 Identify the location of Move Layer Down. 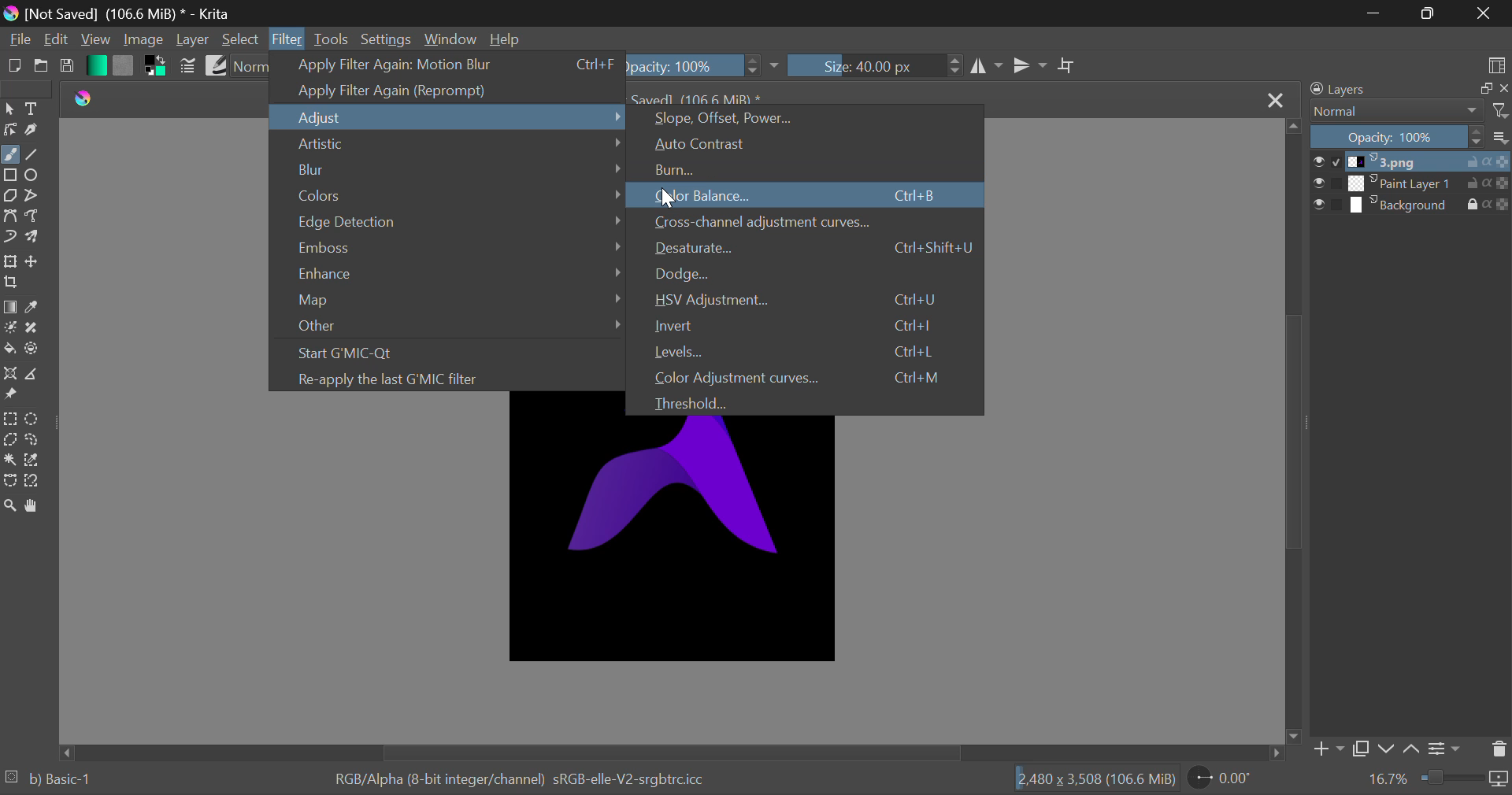
(1389, 748).